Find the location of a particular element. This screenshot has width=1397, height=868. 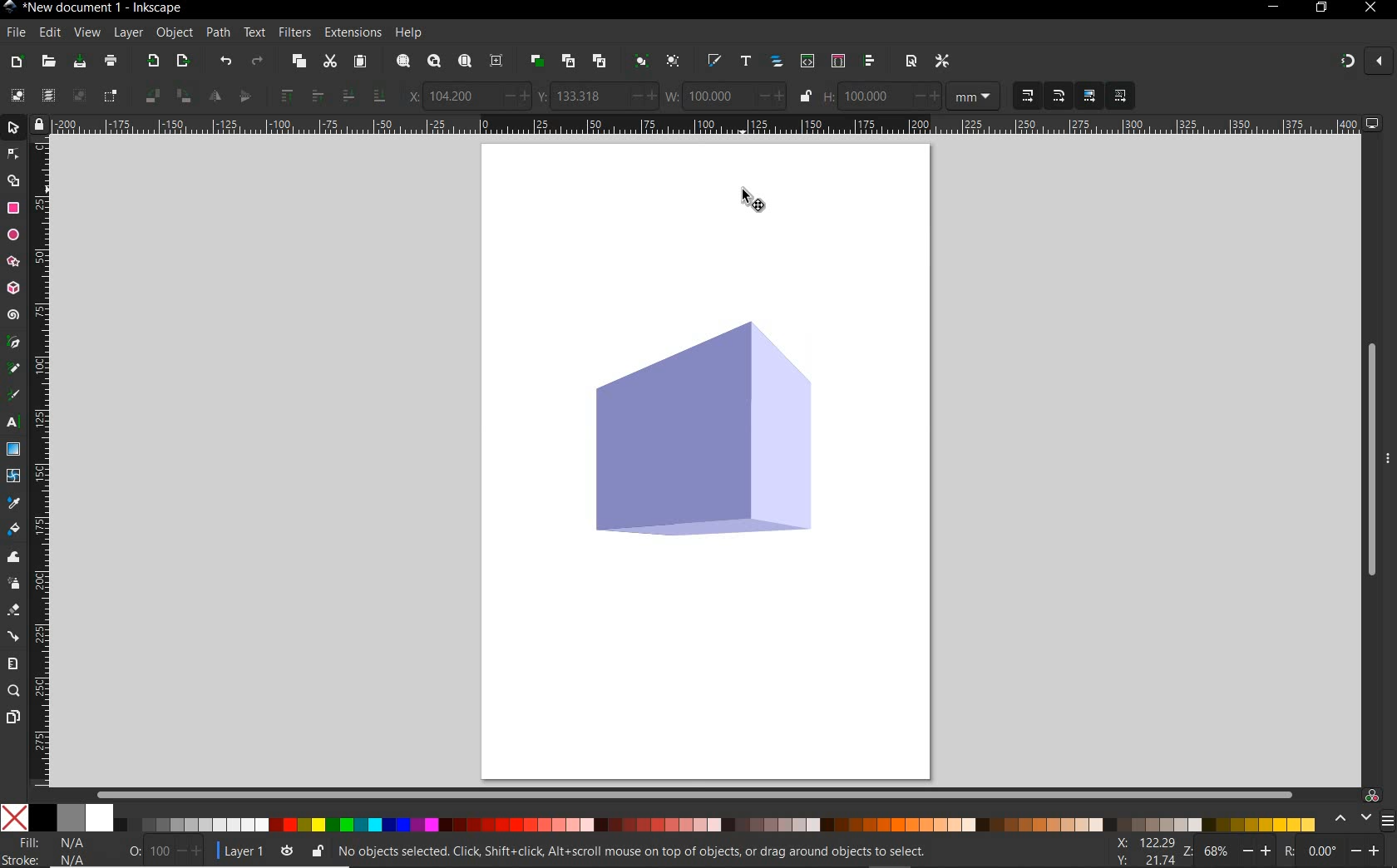

pencil tool is located at coordinates (11, 369).